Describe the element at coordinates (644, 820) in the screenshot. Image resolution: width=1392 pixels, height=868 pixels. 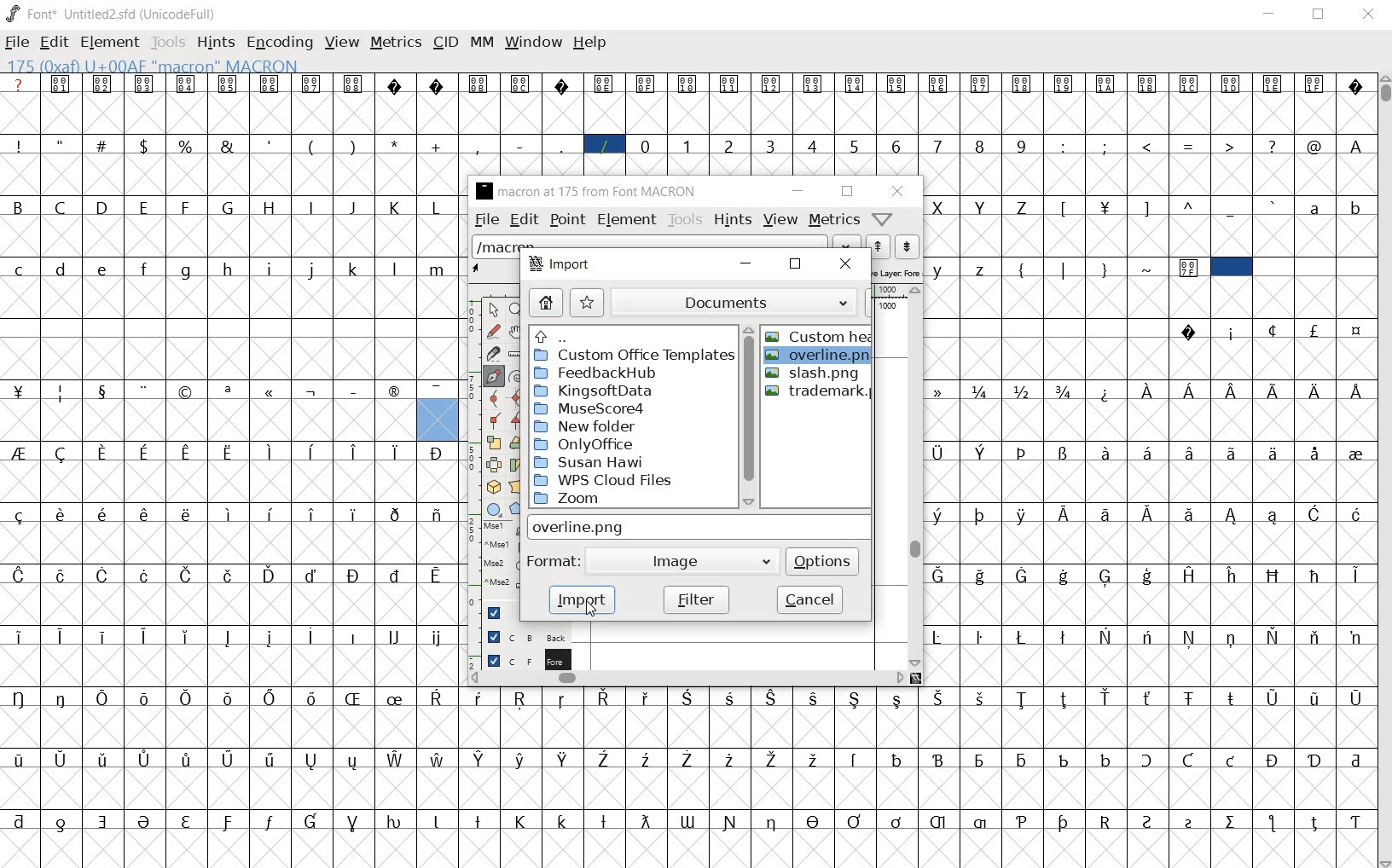
I see `Symbol` at that location.